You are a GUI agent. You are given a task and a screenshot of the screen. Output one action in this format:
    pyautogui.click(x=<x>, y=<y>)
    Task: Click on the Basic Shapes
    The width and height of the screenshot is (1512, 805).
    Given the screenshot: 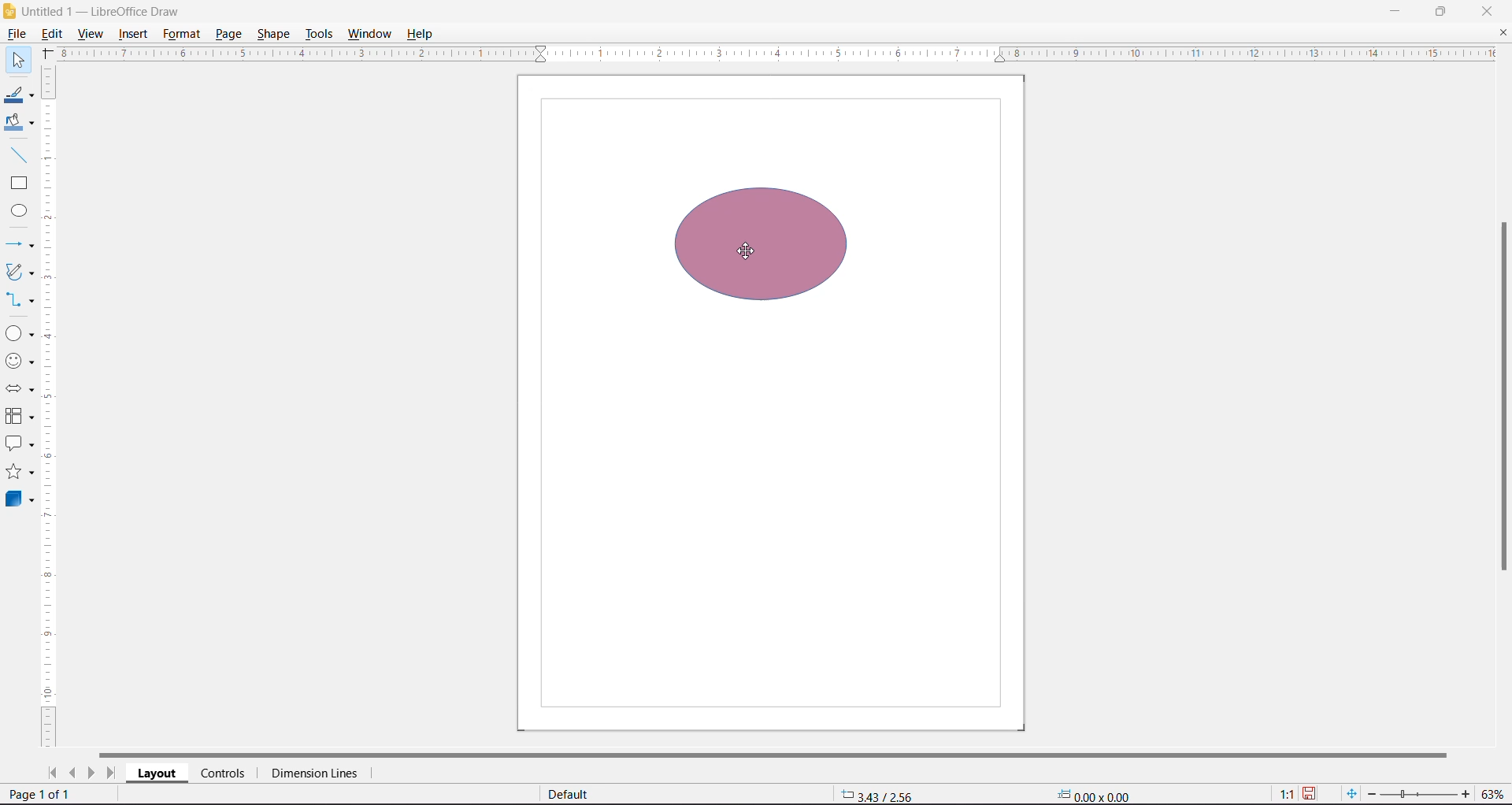 What is the action you would take?
    pyautogui.click(x=20, y=333)
    